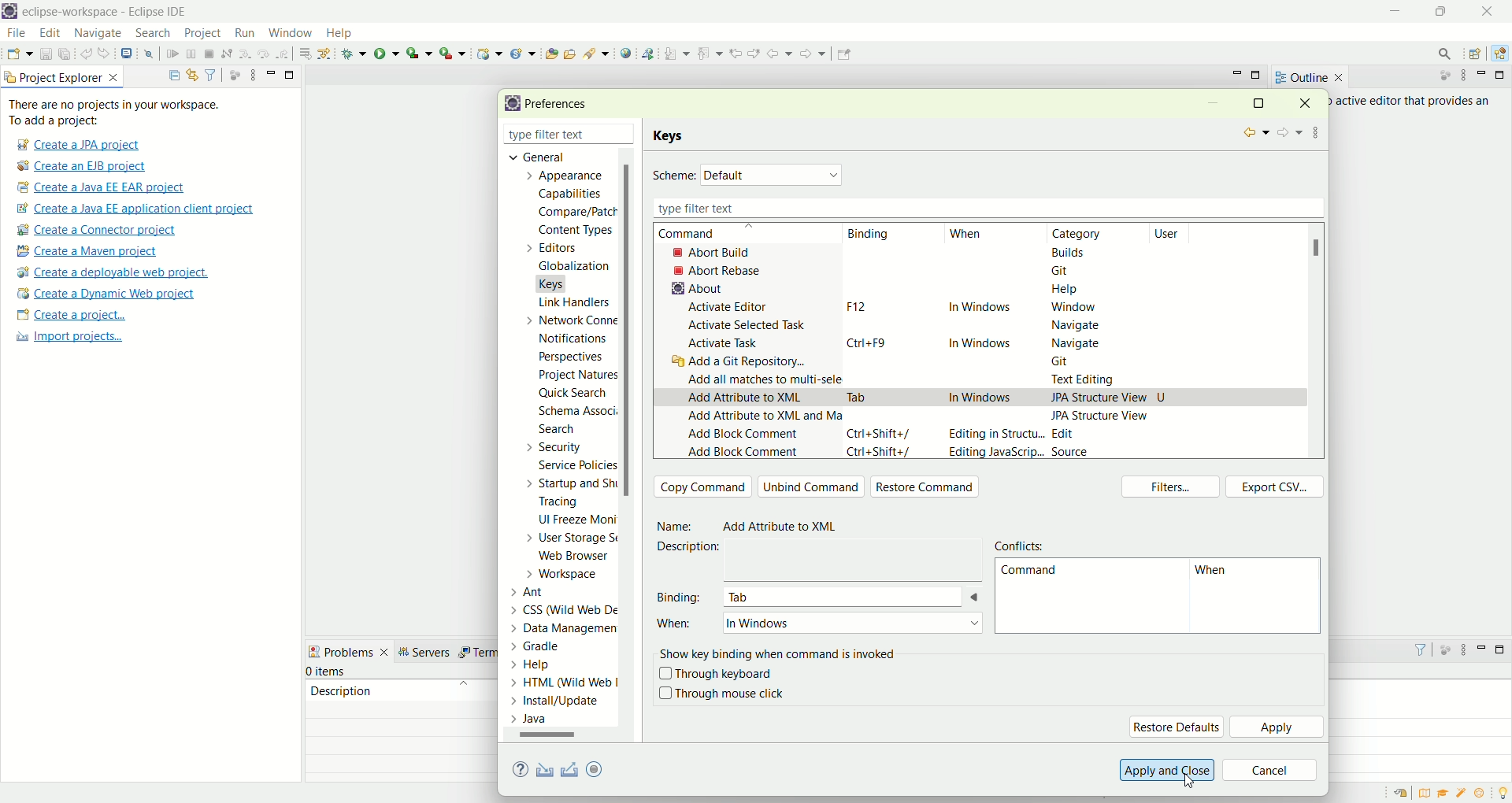 This screenshot has width=1512, height=803. I want to click on globalization, so click(573, 267).